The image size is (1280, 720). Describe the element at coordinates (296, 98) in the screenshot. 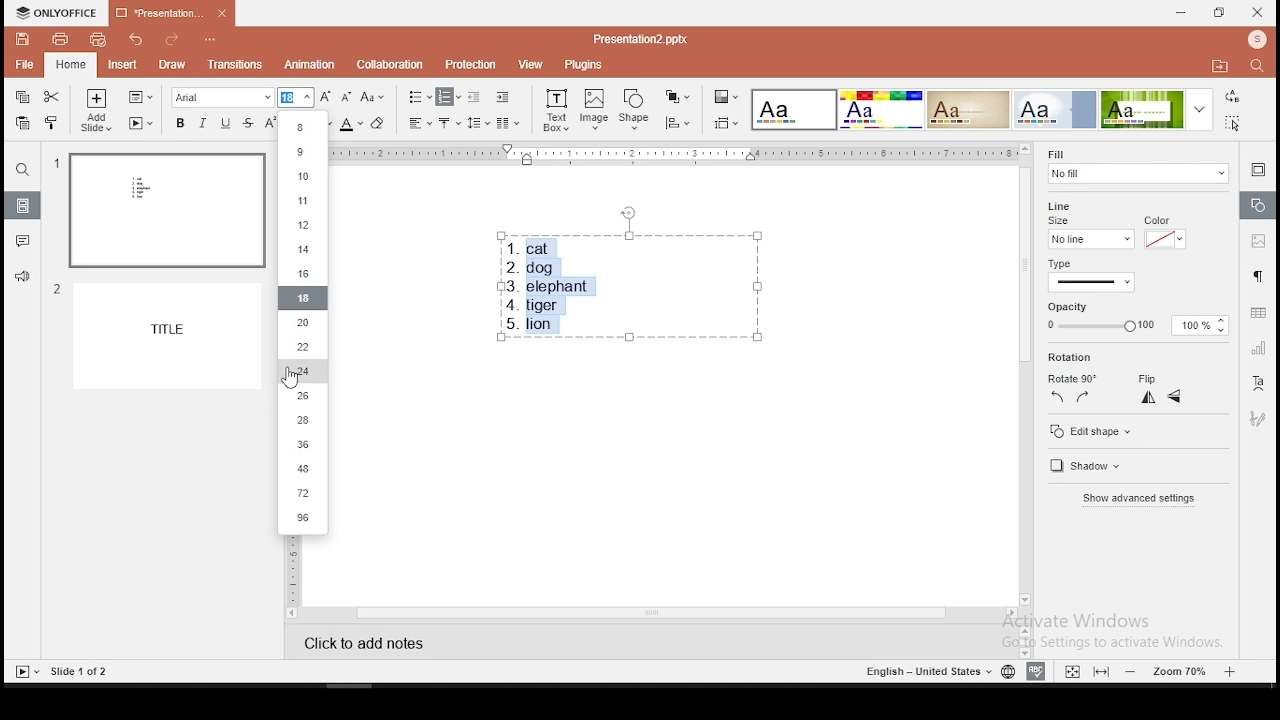

I see `font size` at that location.